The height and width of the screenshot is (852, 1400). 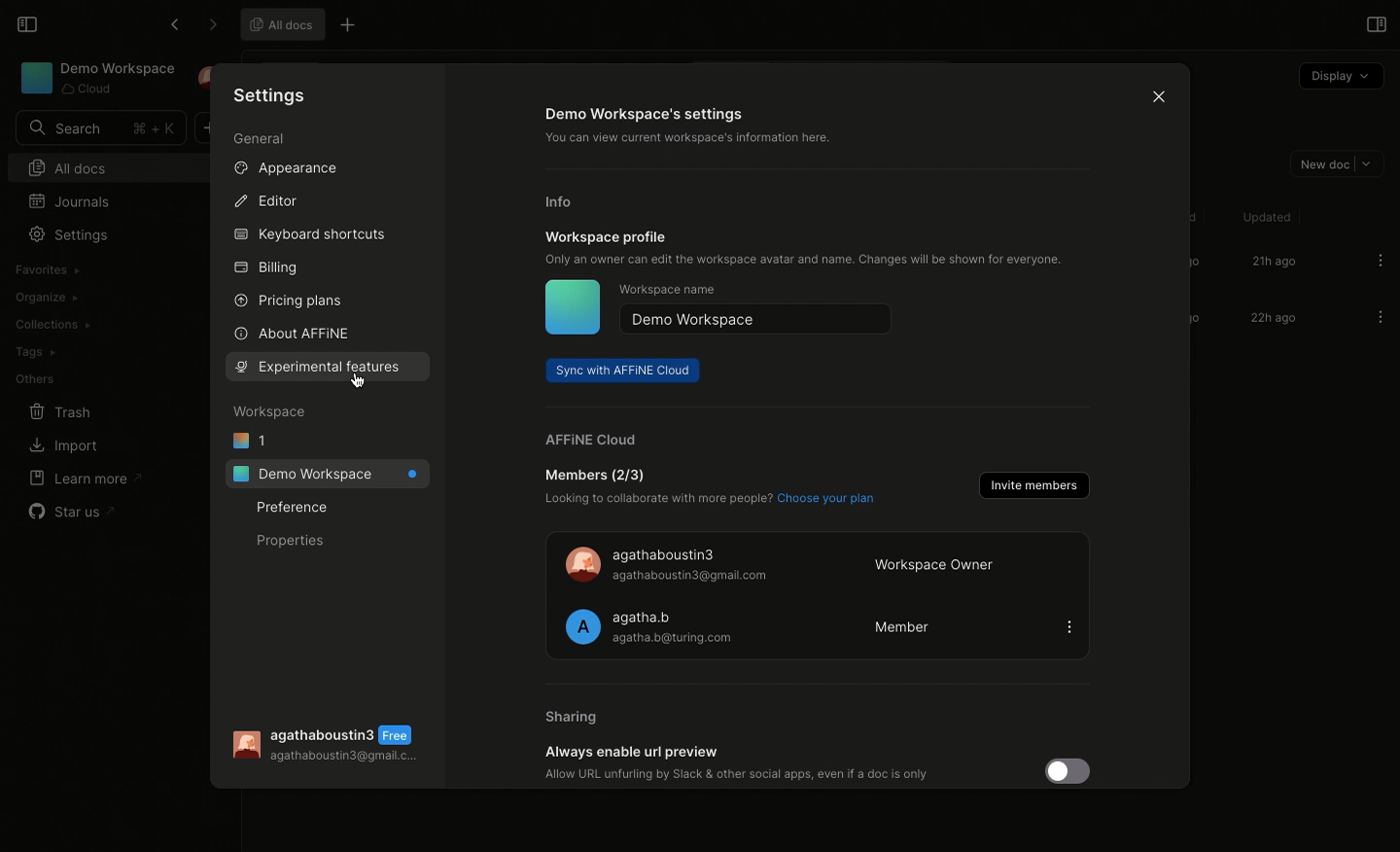 What do you see at coordinates (574, 718) in the screenshot?
I see `Sharing` at bounding box center [574, 718].